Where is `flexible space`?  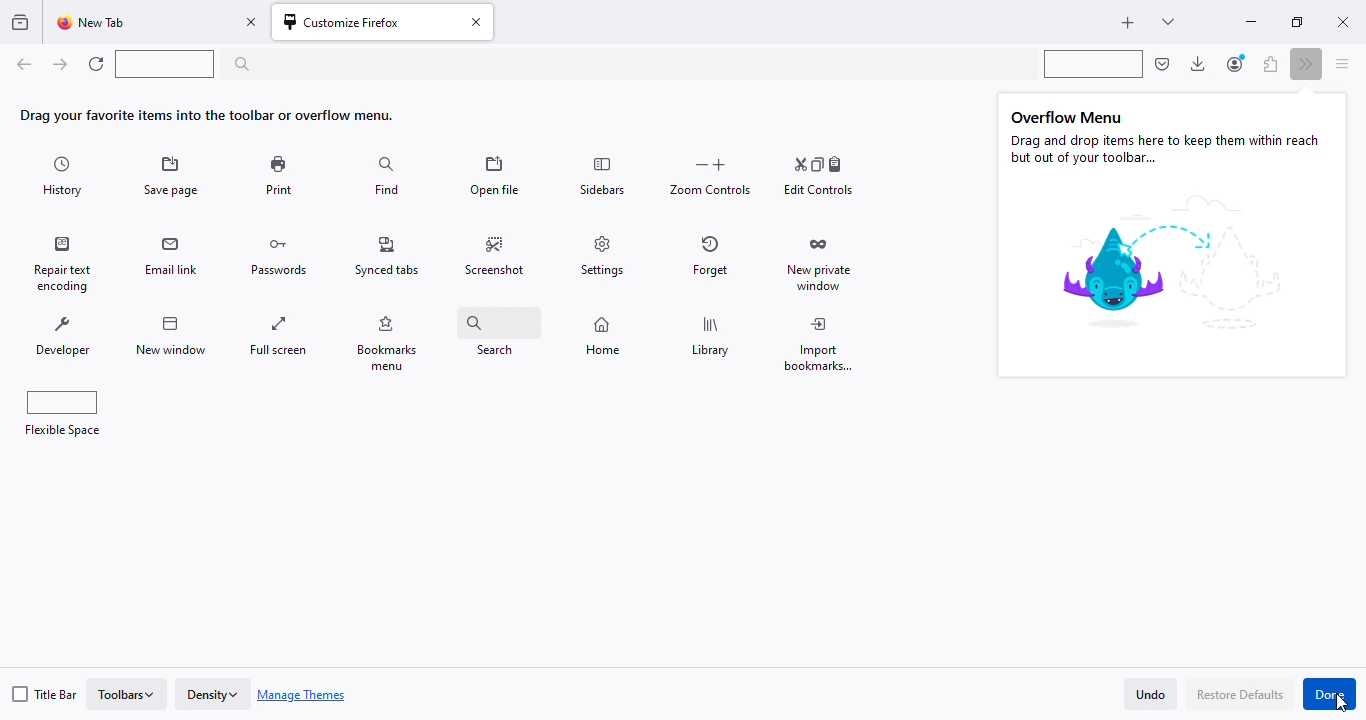 flexible space is located at coordinates (1095, 64).